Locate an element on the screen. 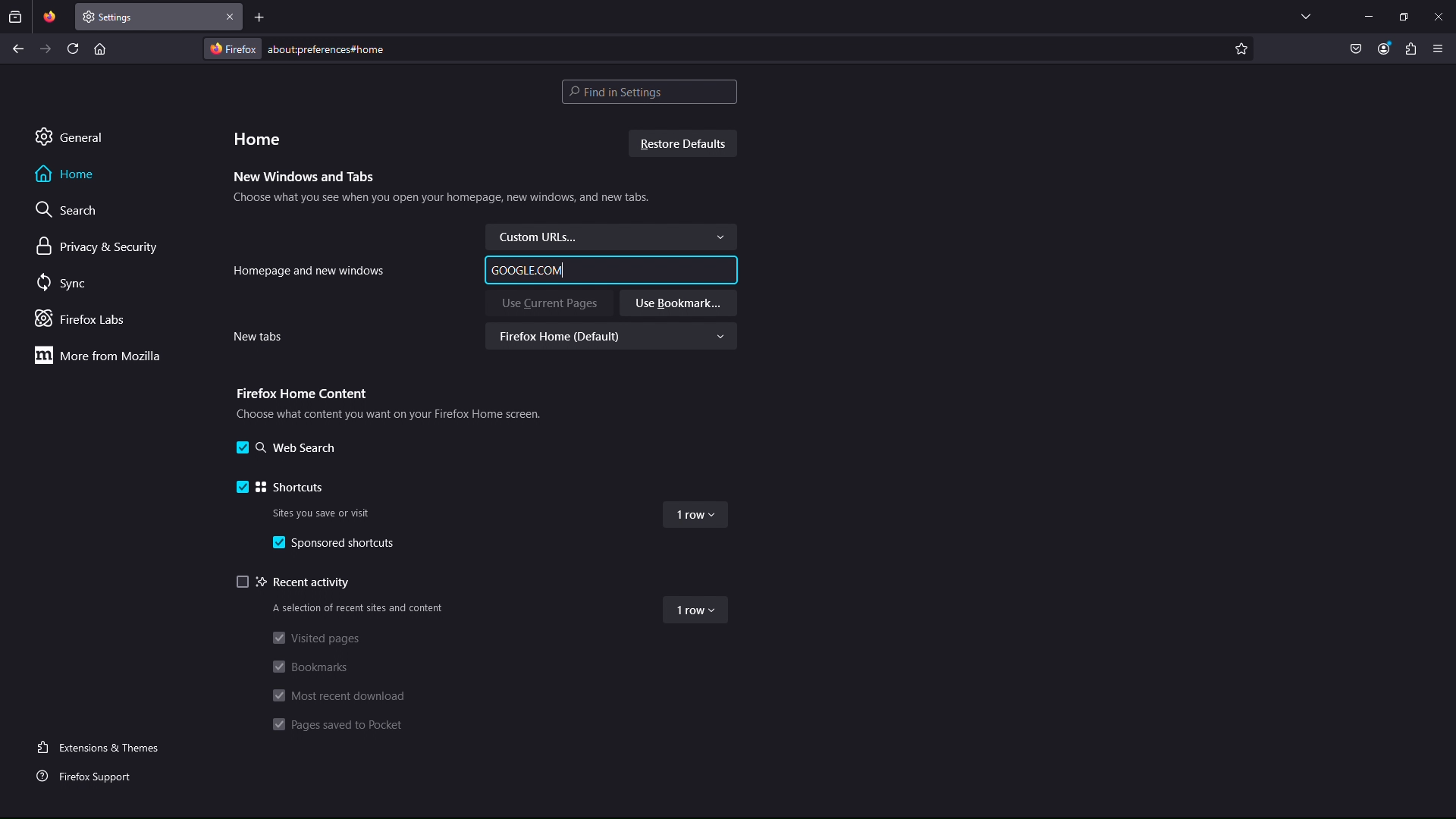 Image resolution: width=1456 pixels, height=819 pixels. New Tab is located at coordinates (148, 17).